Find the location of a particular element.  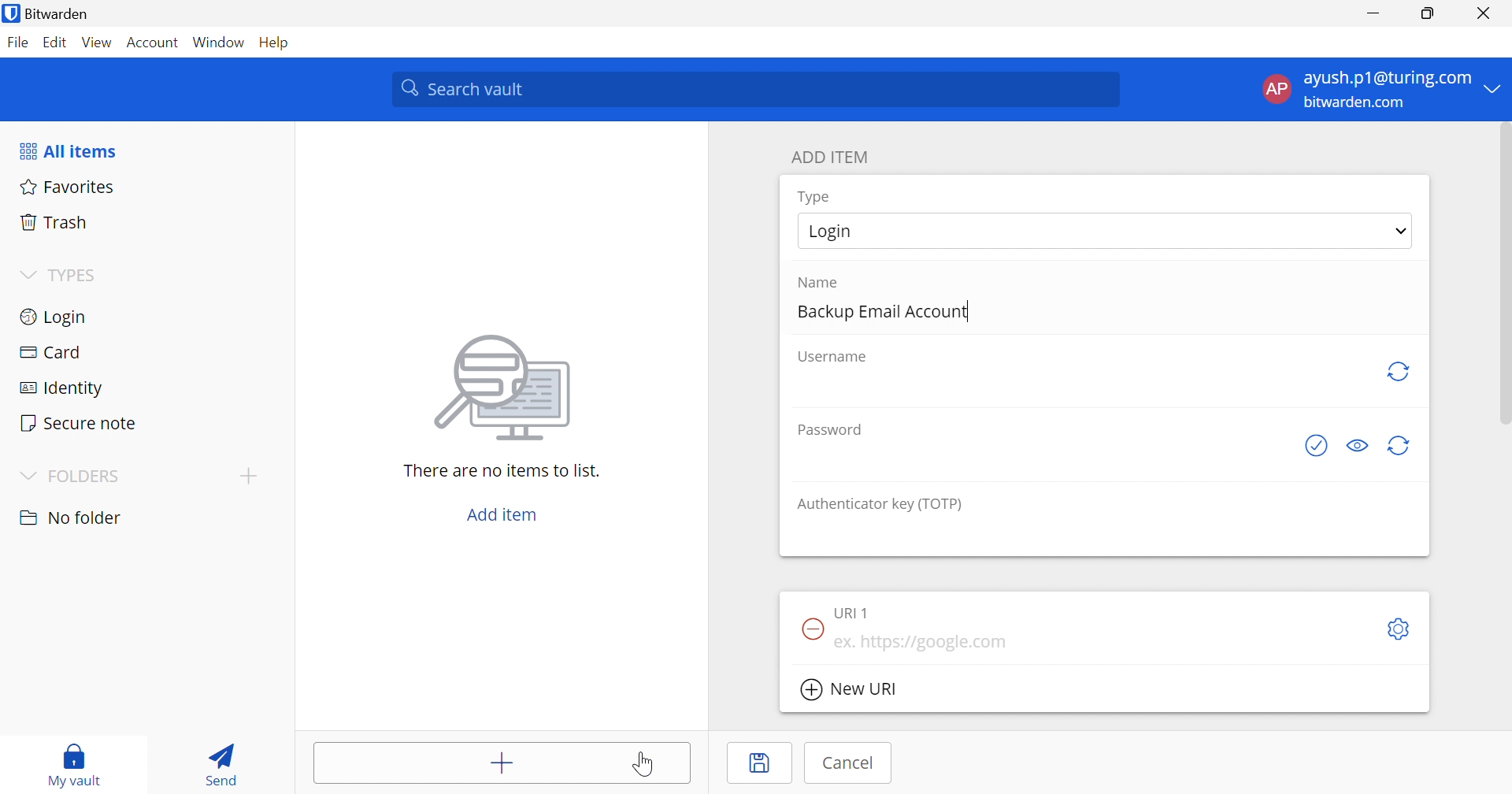

Drop Down is located at coordinates (1497, 89).